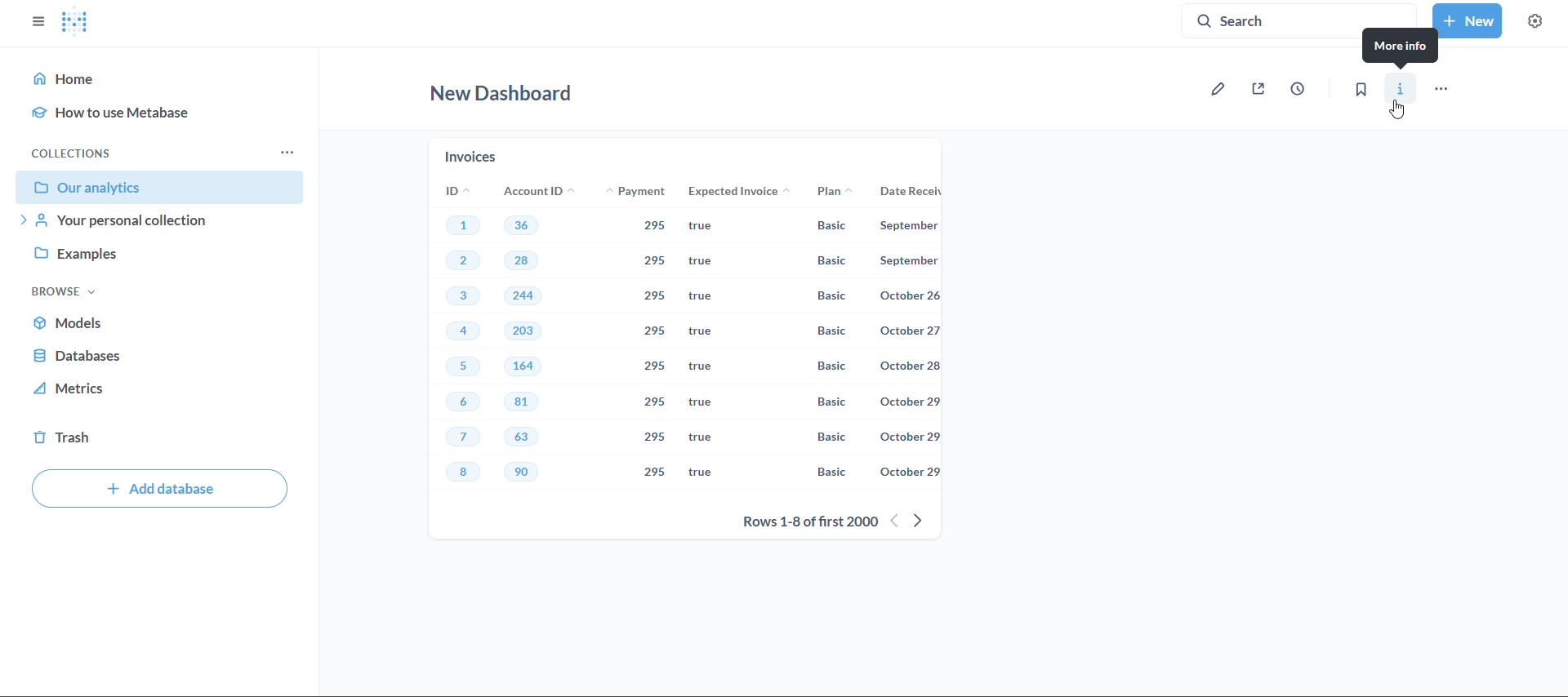 The height and width of the screenshot is (697, 1568). I want to click on 295, so click(655, 332).